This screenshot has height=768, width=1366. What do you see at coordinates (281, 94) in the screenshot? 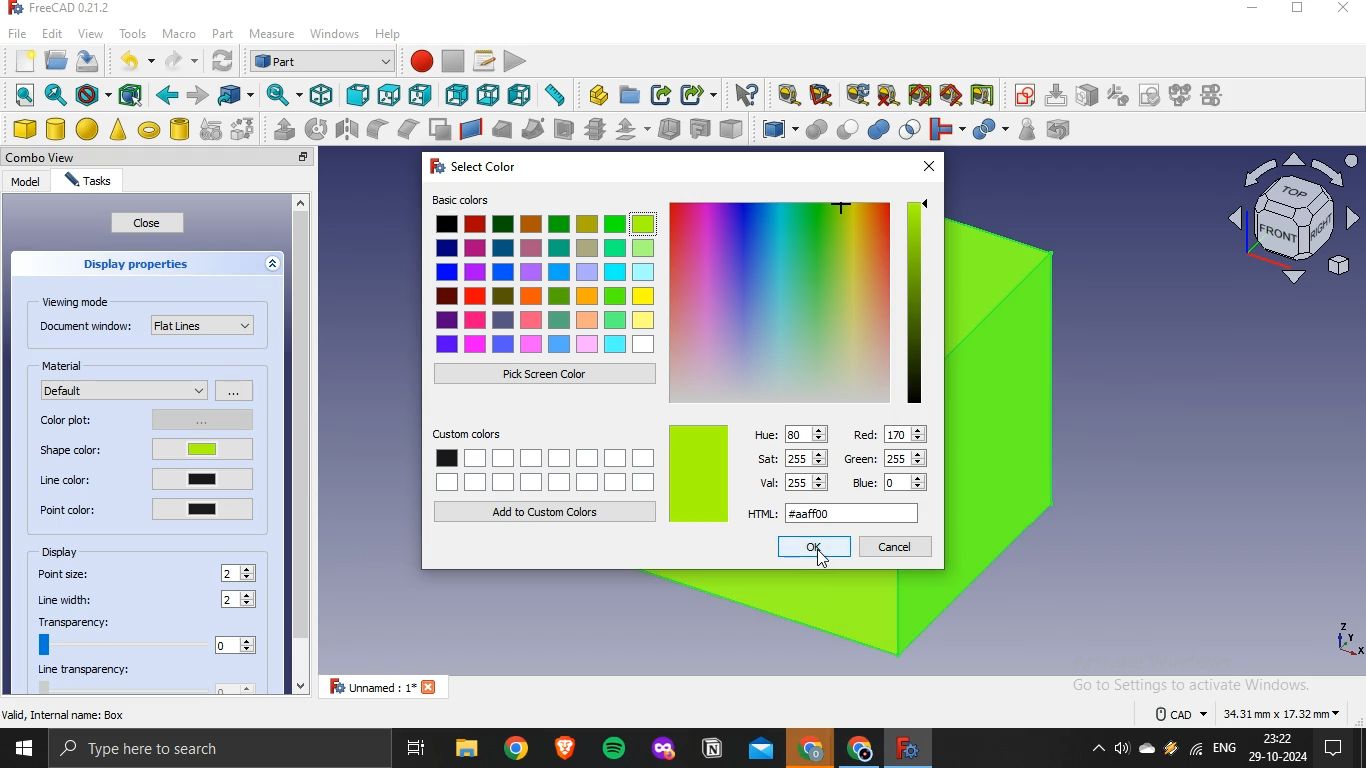
I see `sync view` at bounding box center [281, 94].